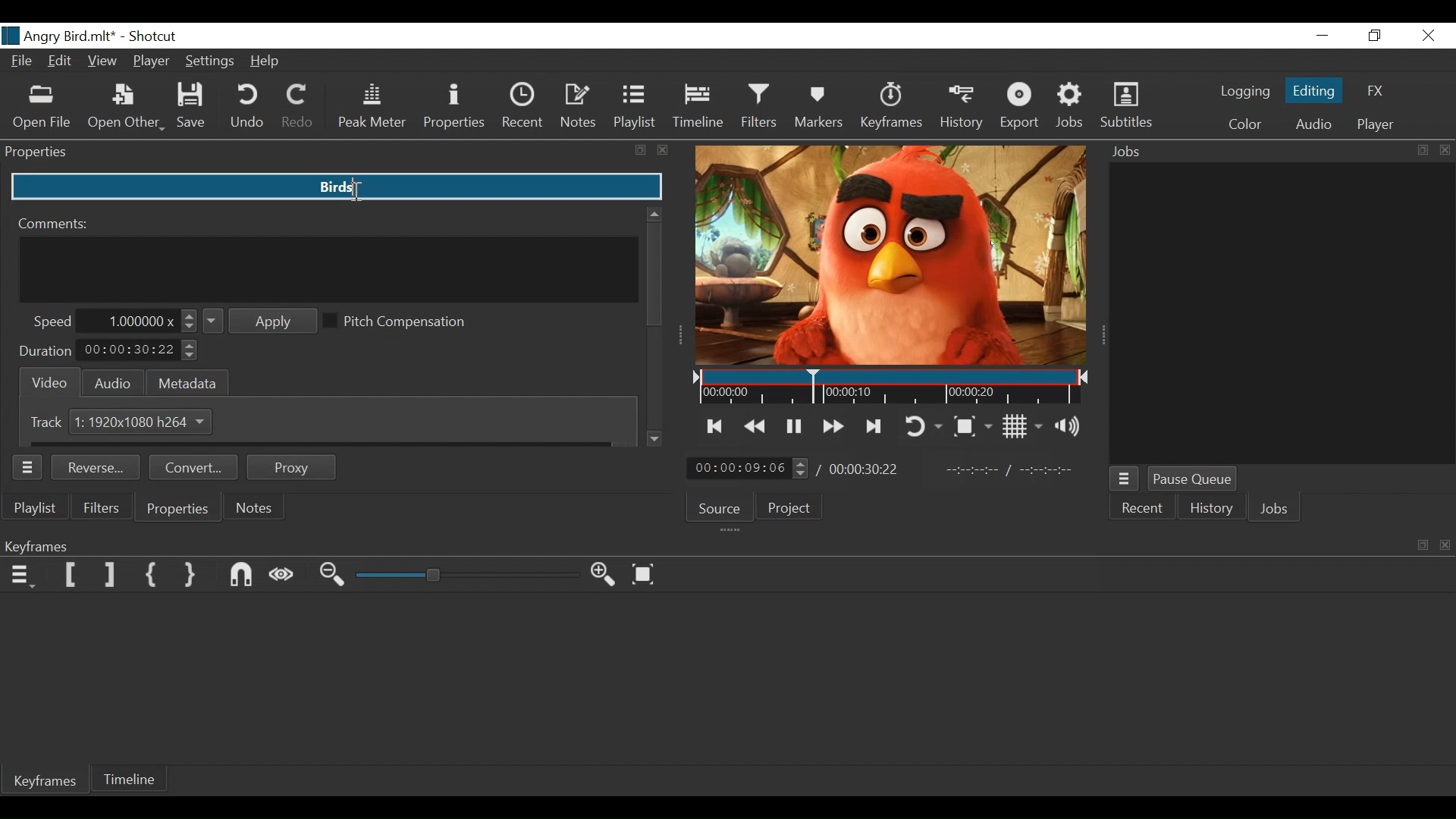 The image size is (1456, 819). I want to click on Notes, so click(579, 107).